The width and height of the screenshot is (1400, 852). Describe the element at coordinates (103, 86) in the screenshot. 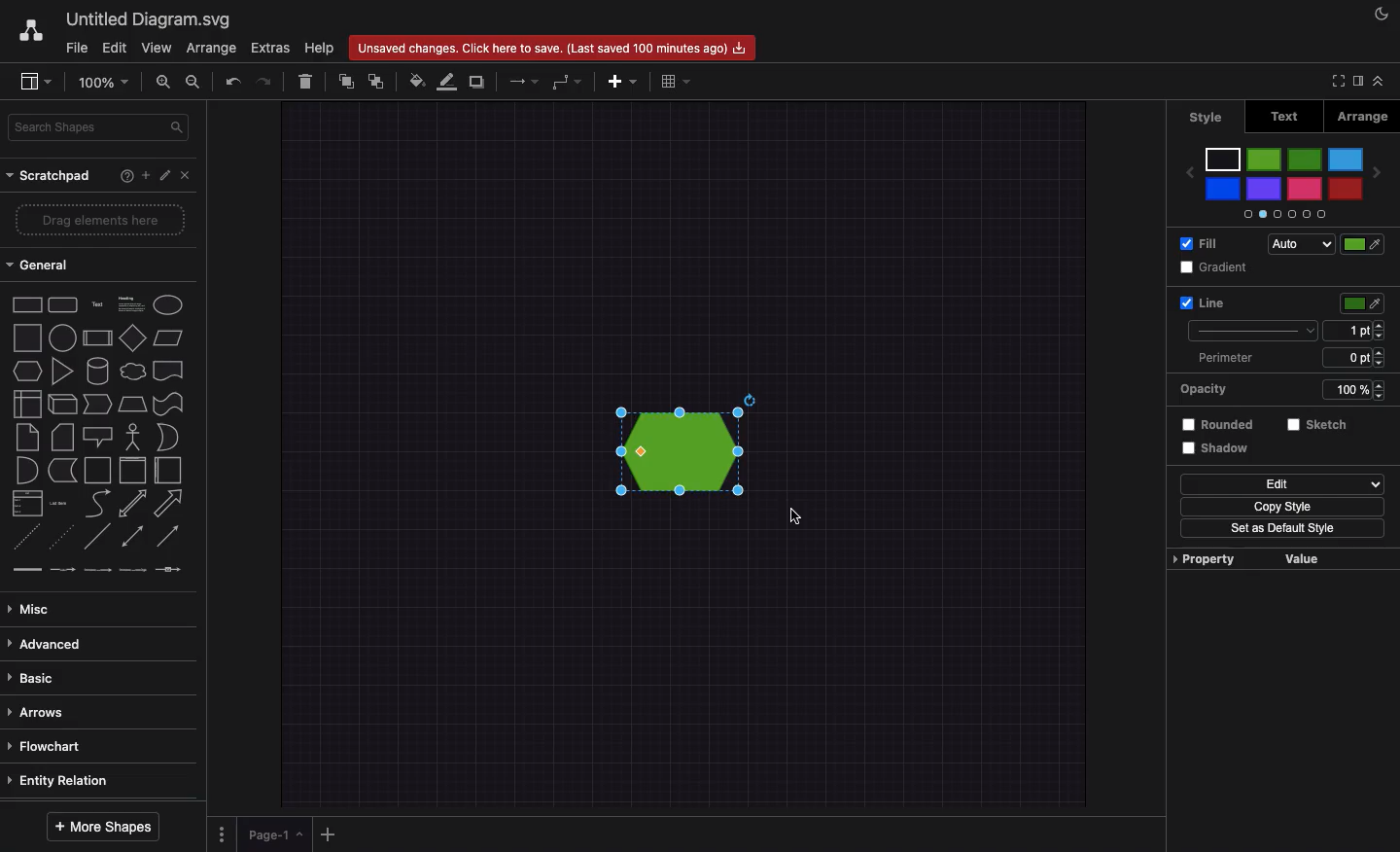

I see `Zoom` at that location.